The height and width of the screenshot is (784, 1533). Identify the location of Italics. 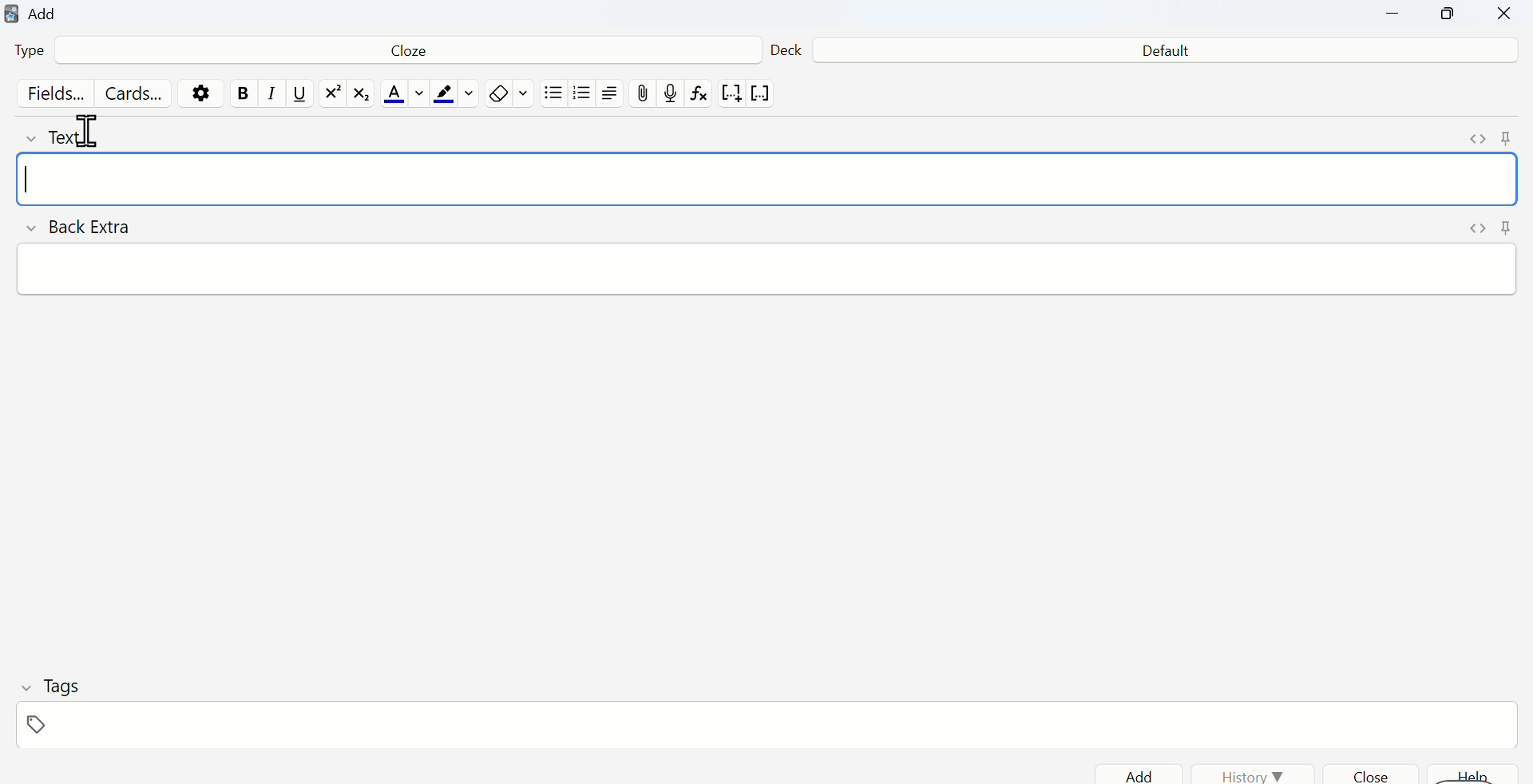
(267, 98).